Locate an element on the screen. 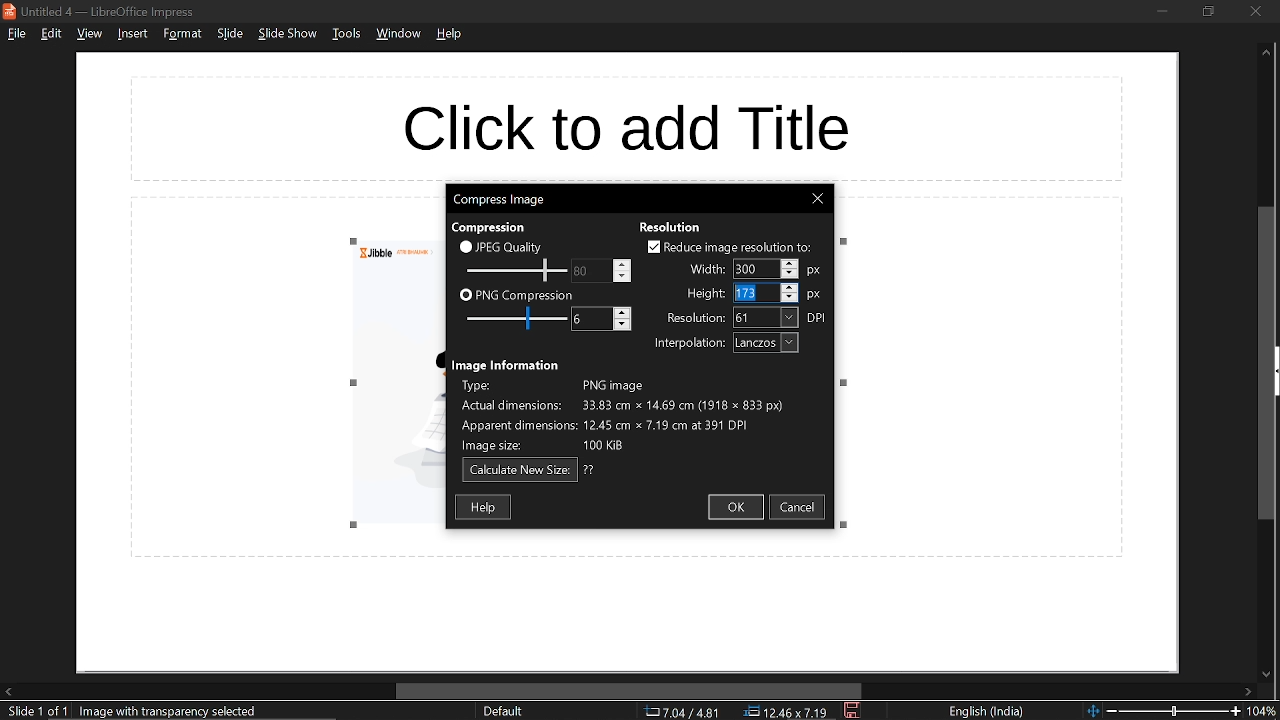  text is located at coordinates (494, 226).